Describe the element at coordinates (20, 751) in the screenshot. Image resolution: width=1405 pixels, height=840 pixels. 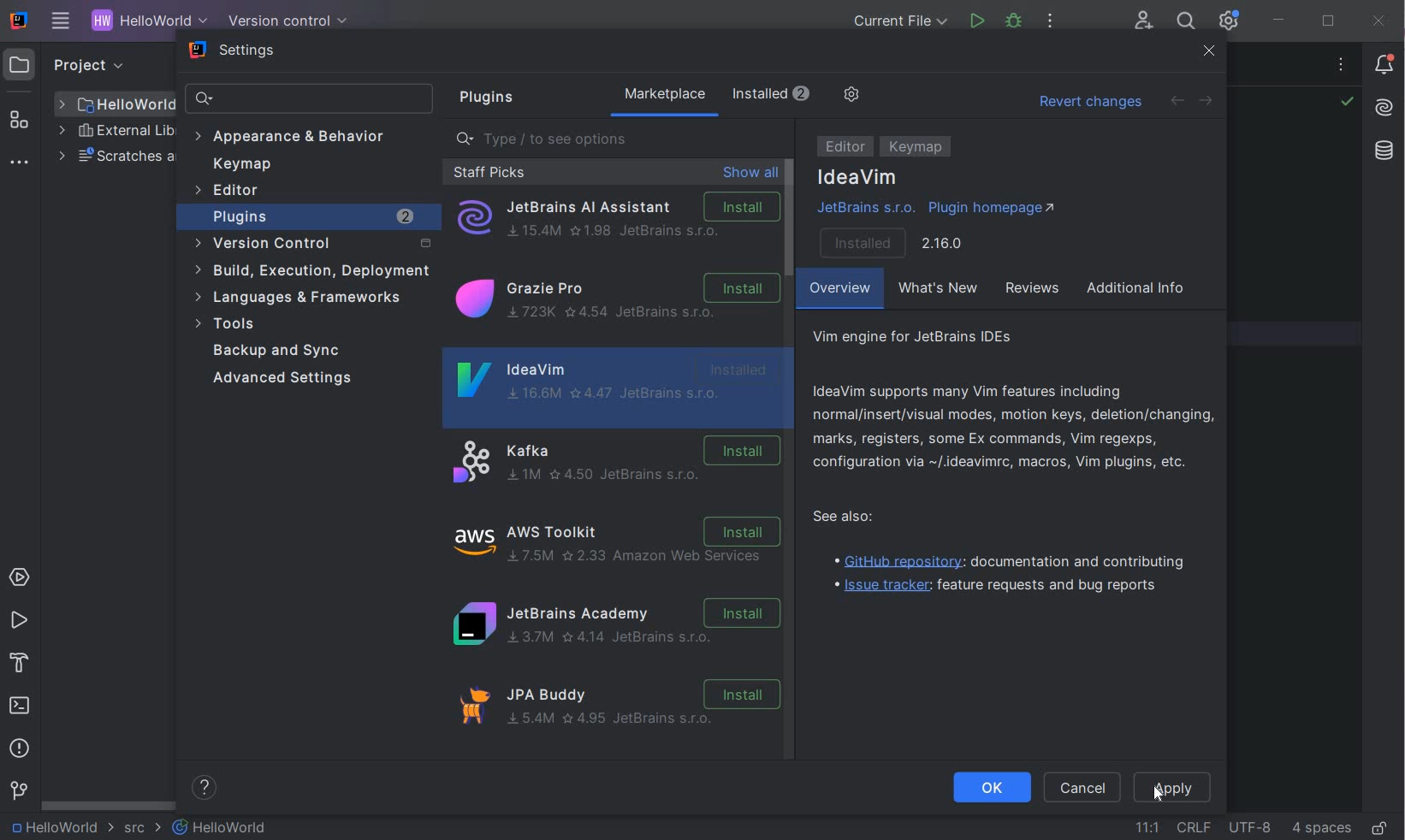
I see `PROBLEMS` at that location.